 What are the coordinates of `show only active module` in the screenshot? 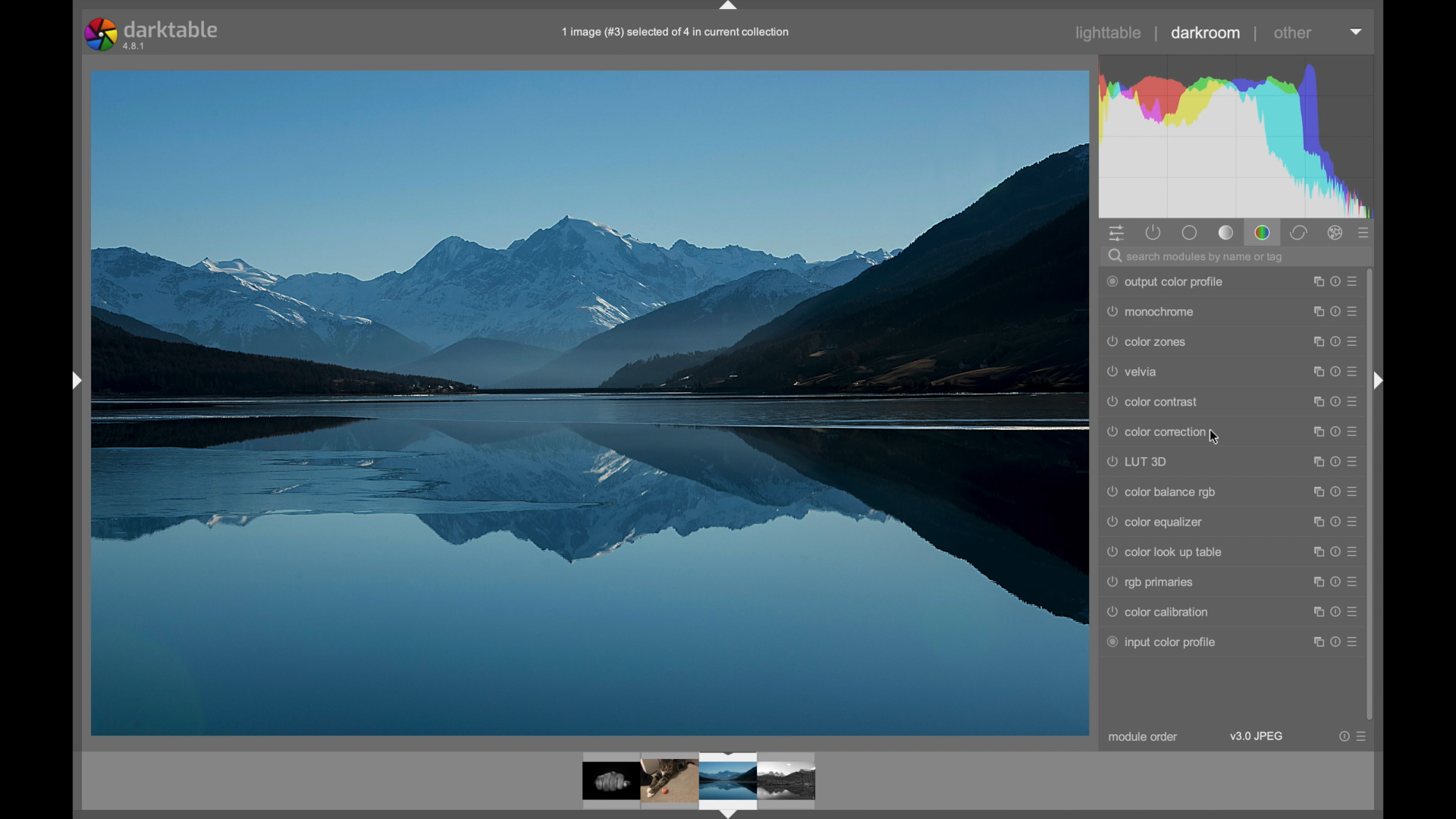 It's located at (1155, 233).